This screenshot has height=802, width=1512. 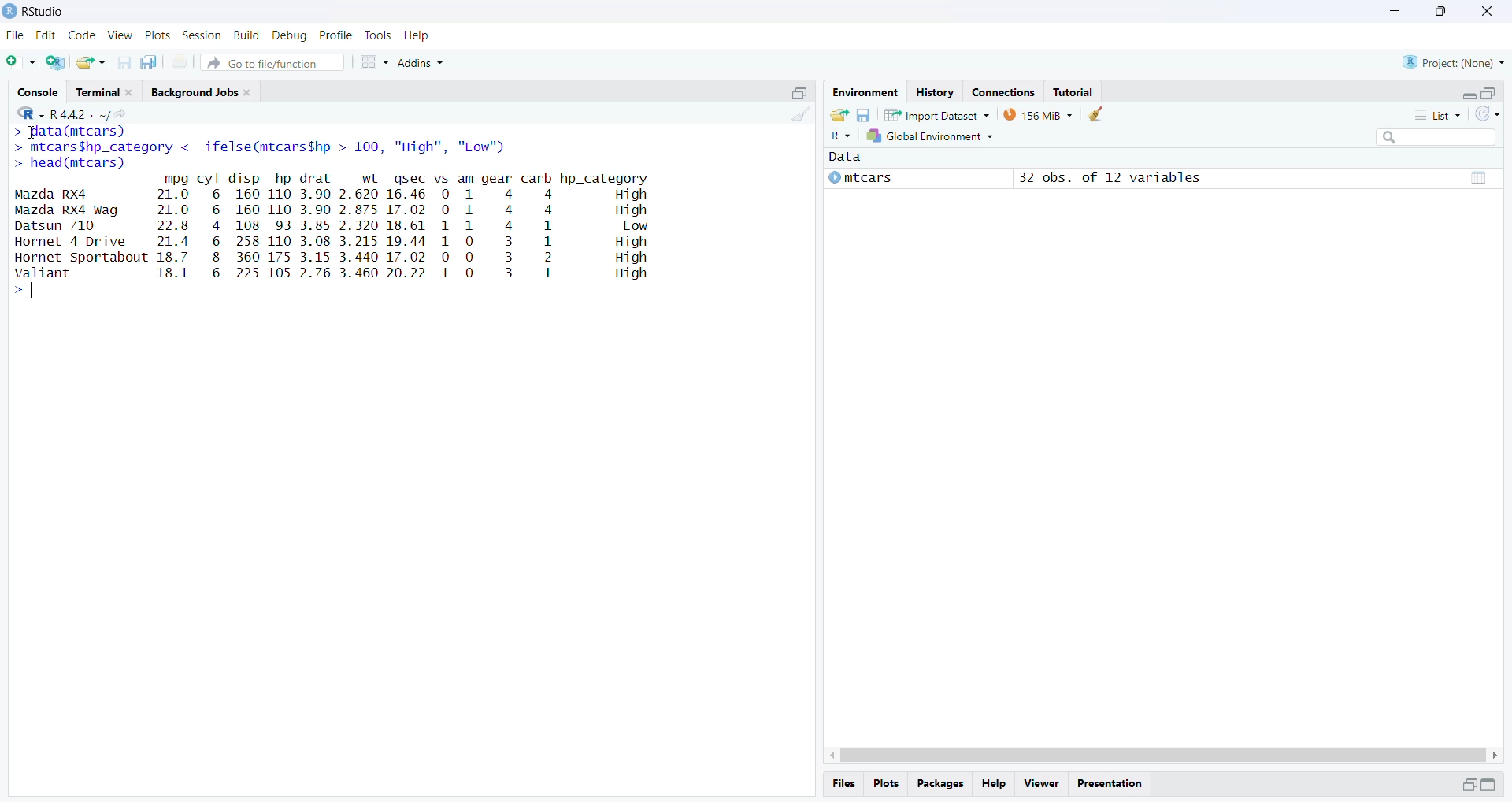 I want to click on Connections, so click(x=1002, y=91).